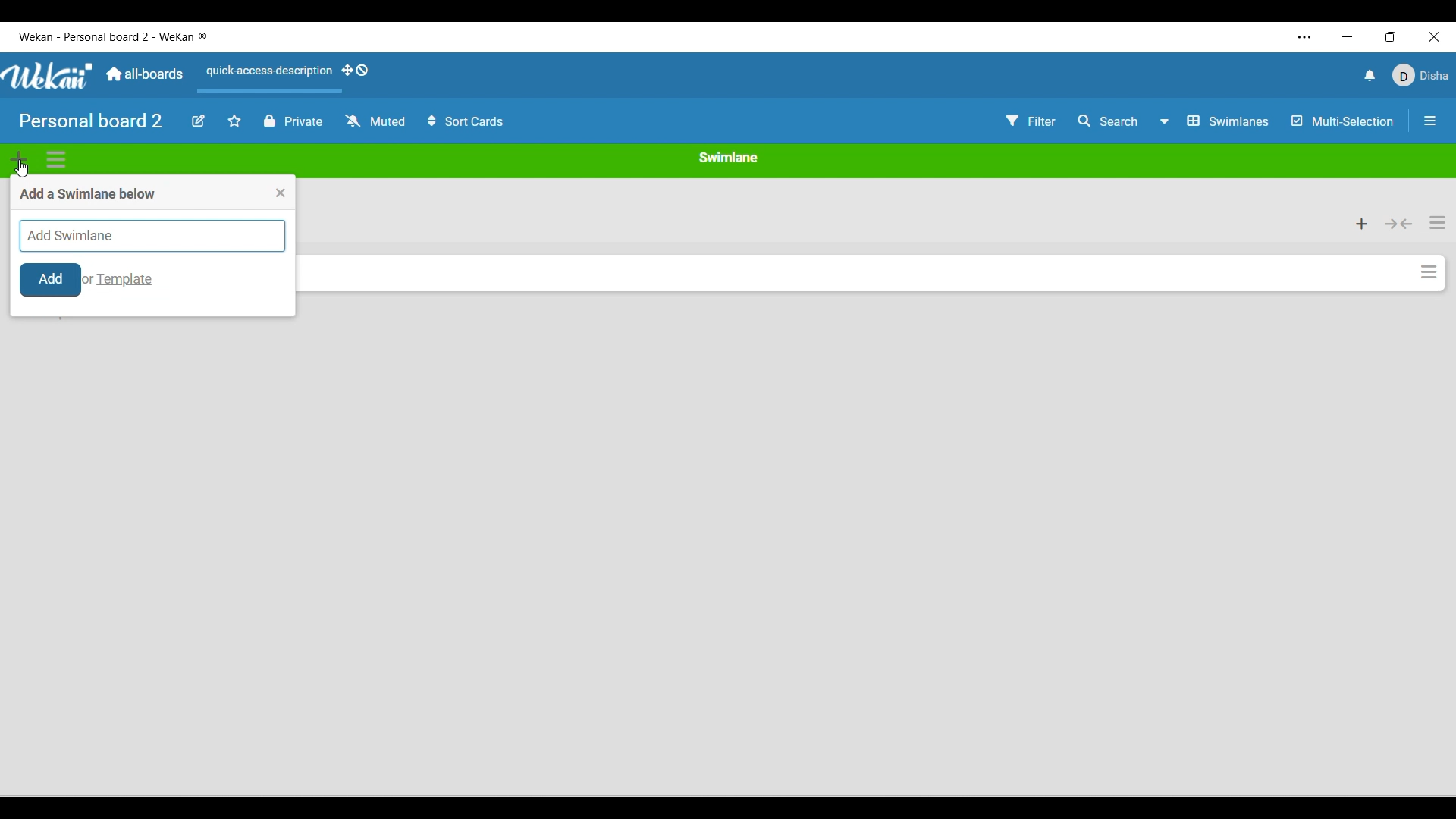  Describe the element at coordinates (51, 280) in the screenshot. I see `Add inputs made to board` at that location.